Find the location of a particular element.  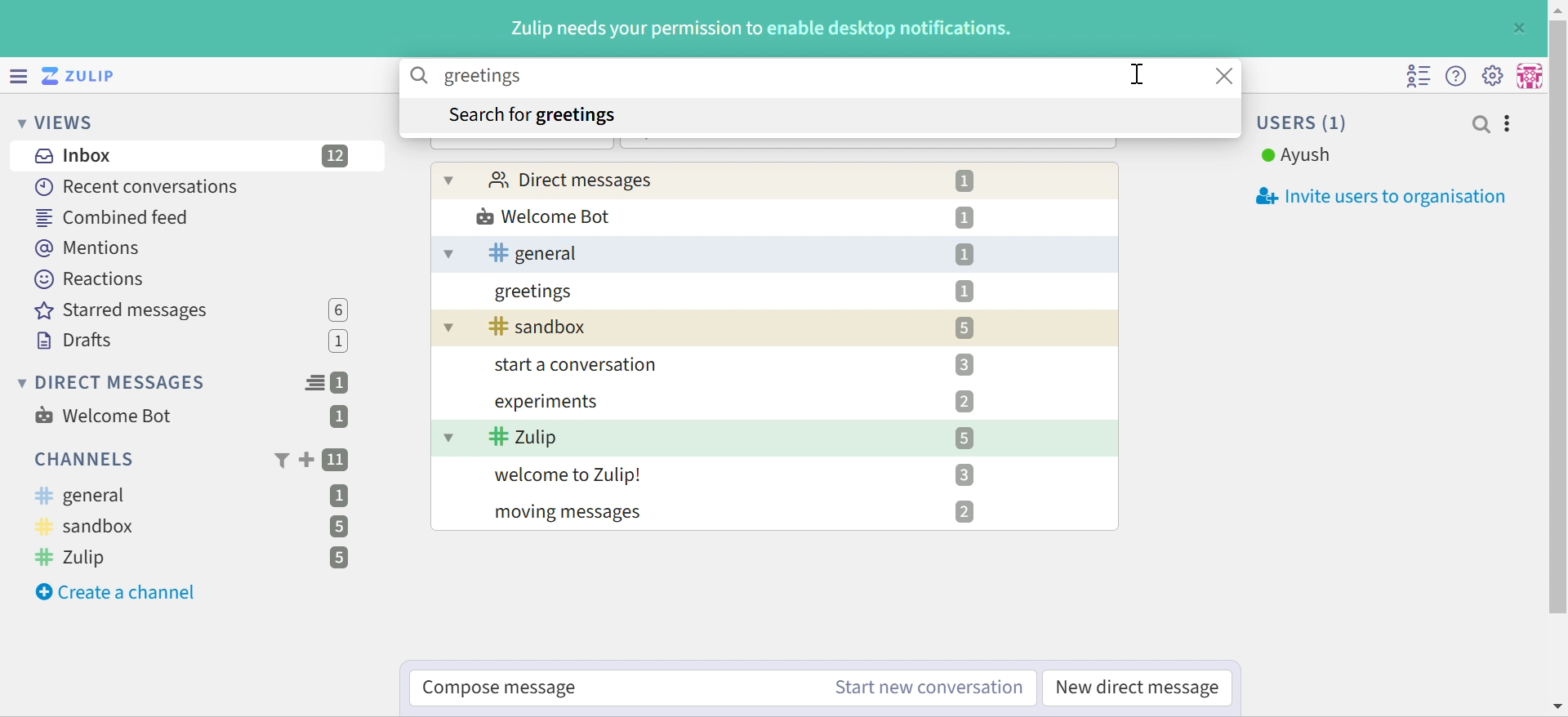

Close is located at coordinates (1521, 27).